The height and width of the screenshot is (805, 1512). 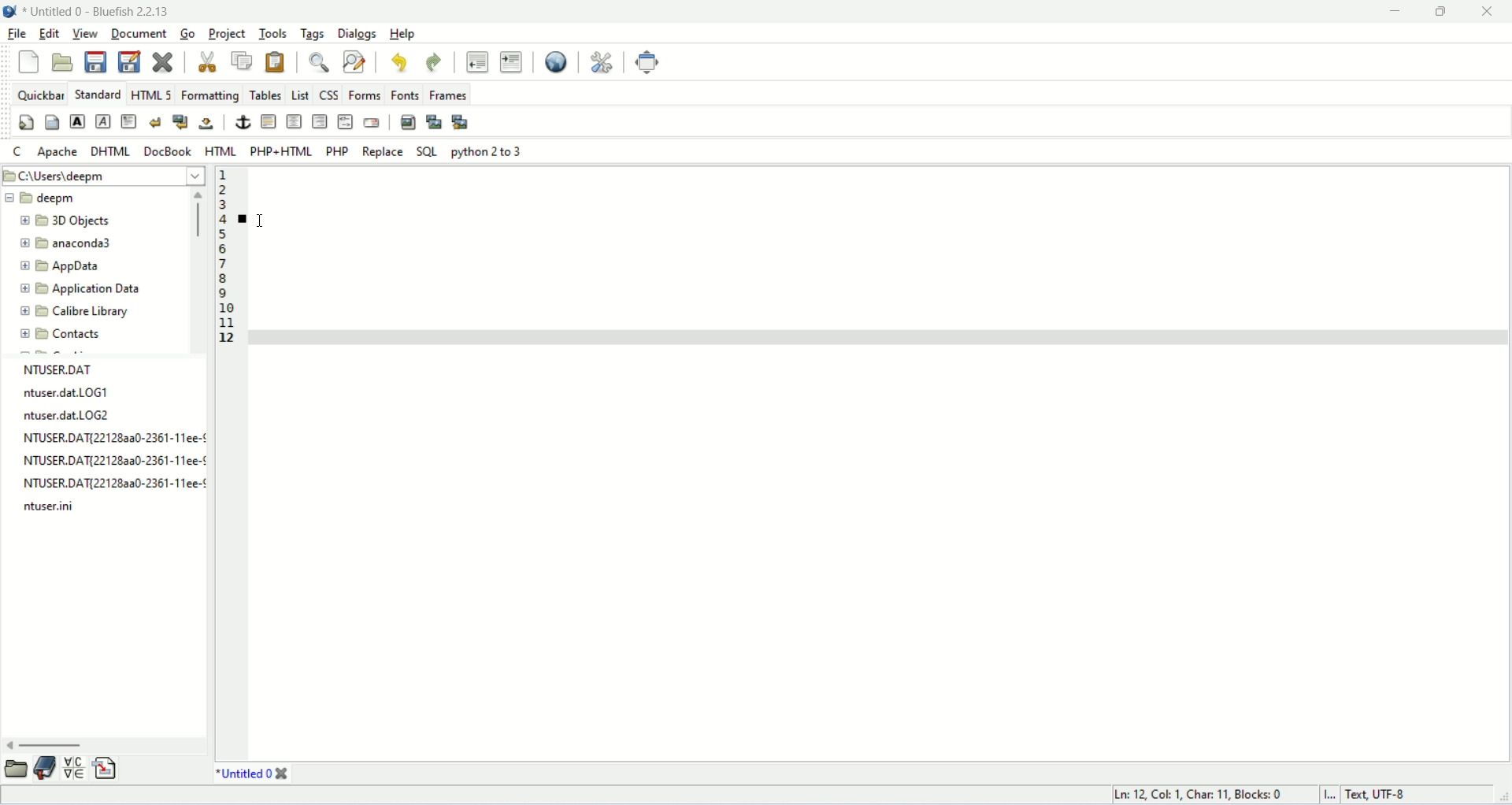 I want to click on python 2 to 3, so click(x=487, y=150).